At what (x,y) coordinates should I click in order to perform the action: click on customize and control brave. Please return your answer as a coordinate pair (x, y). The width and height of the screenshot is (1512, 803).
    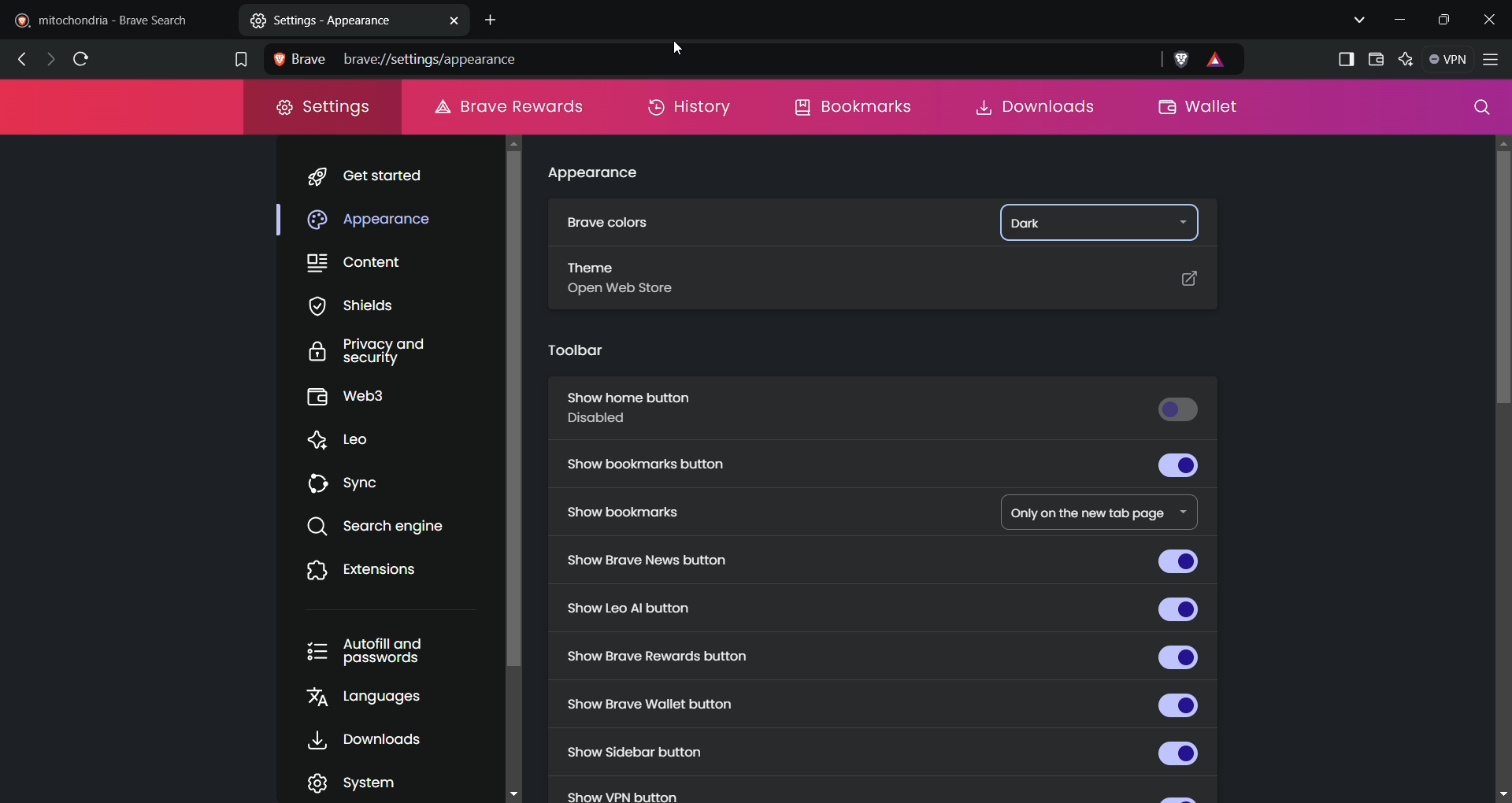
    Looking at the image, I should click on (1494, 60).